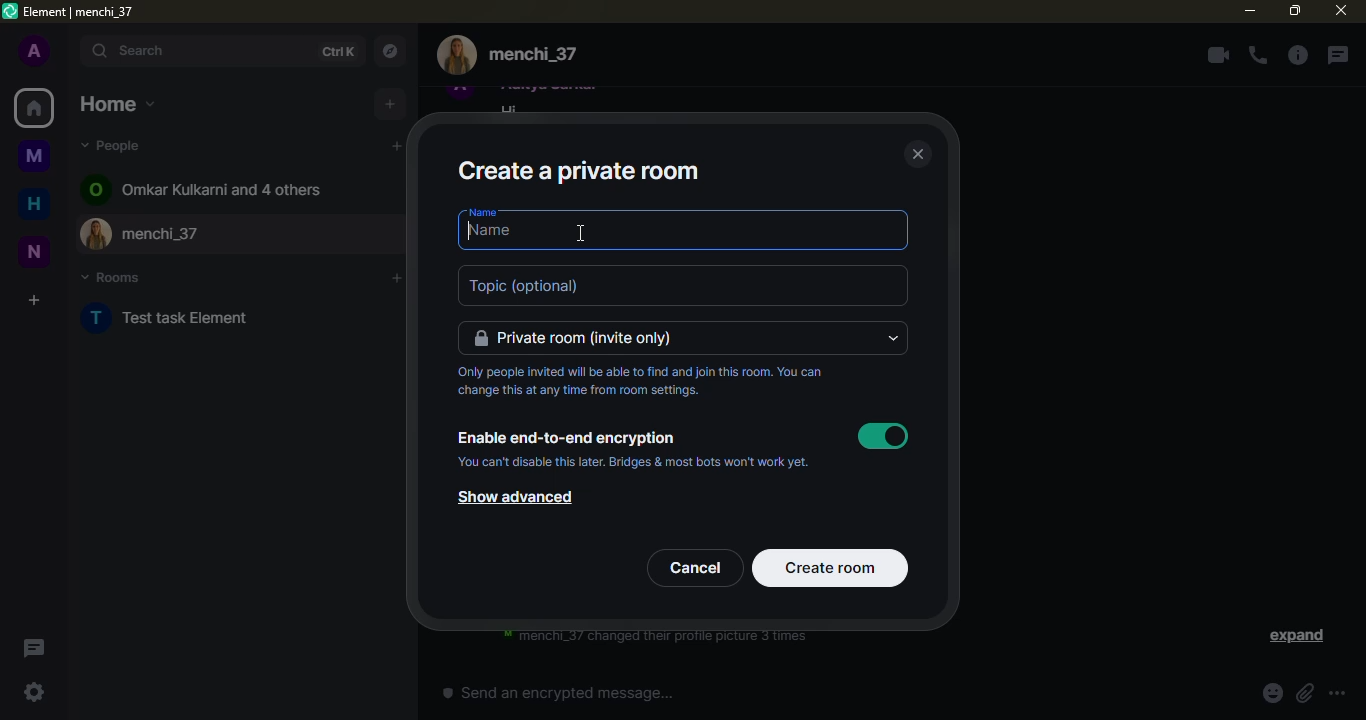  What do you see at coordinates (196, 51) in the screenshot?
I see `search` at bounding box center [196, 51].